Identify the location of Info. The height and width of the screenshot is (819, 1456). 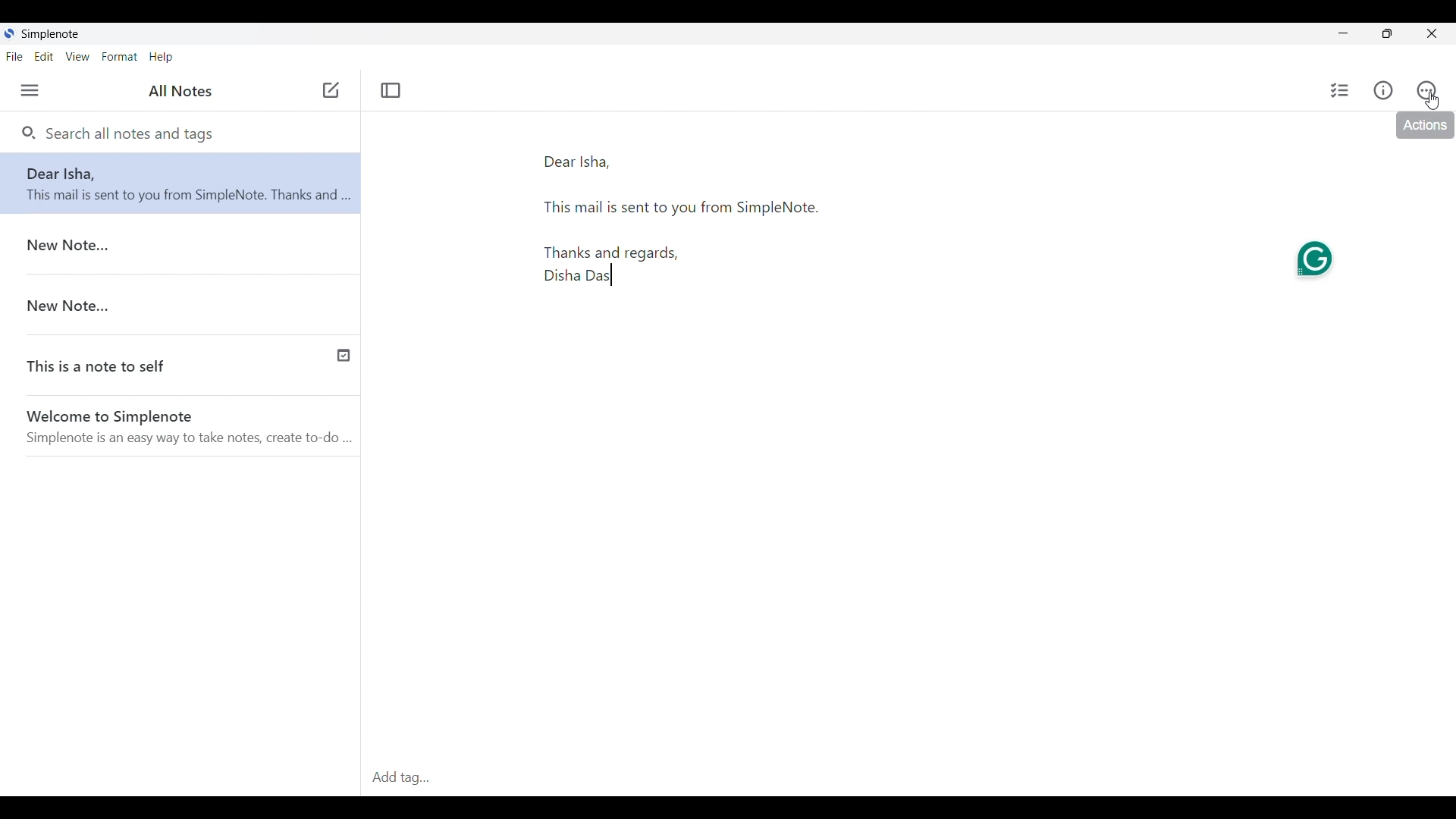
(1384, 90).